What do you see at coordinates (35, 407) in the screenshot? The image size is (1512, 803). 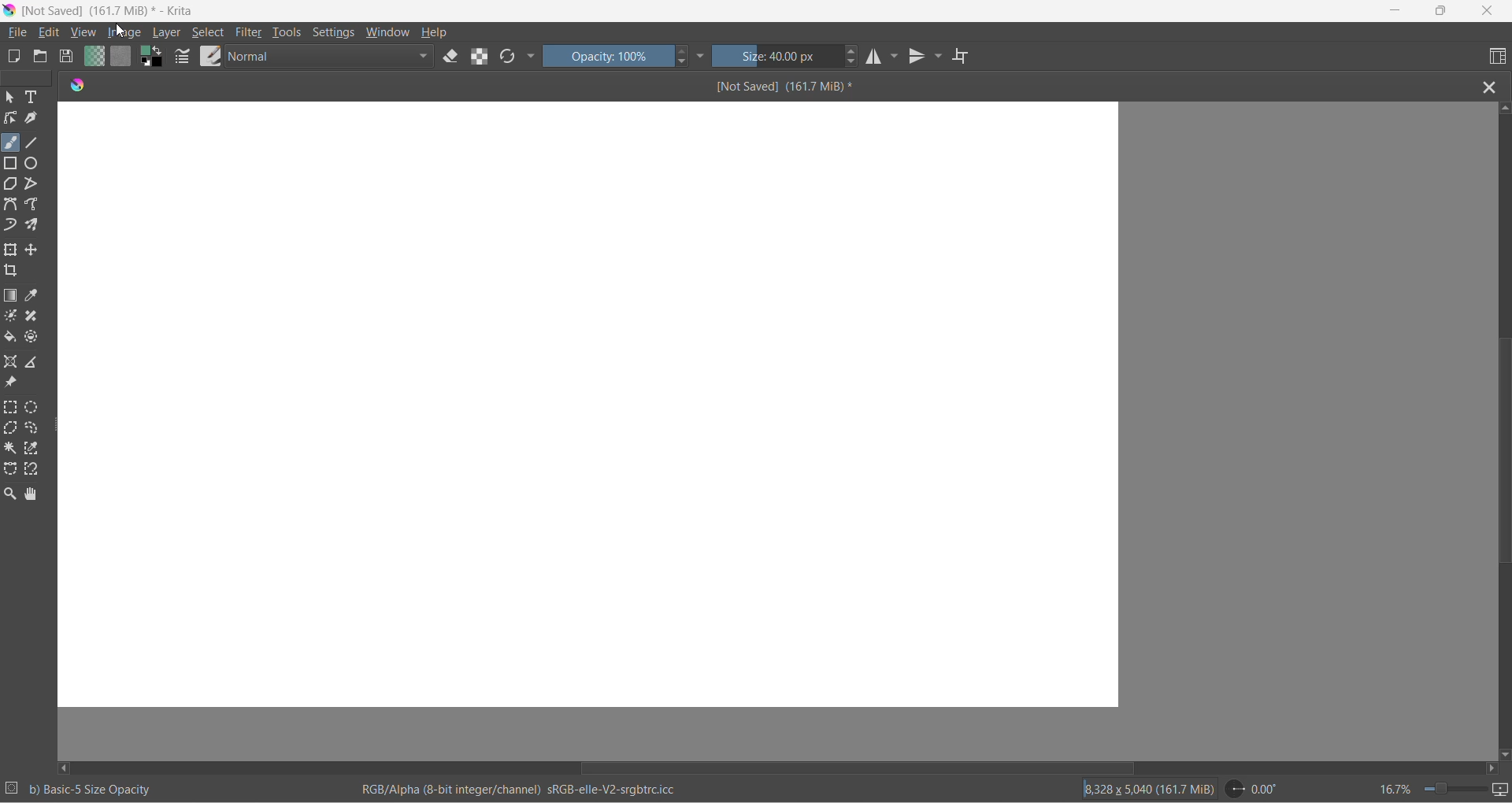 I see `elliptical selection tool` at bounding box center [35, 407].